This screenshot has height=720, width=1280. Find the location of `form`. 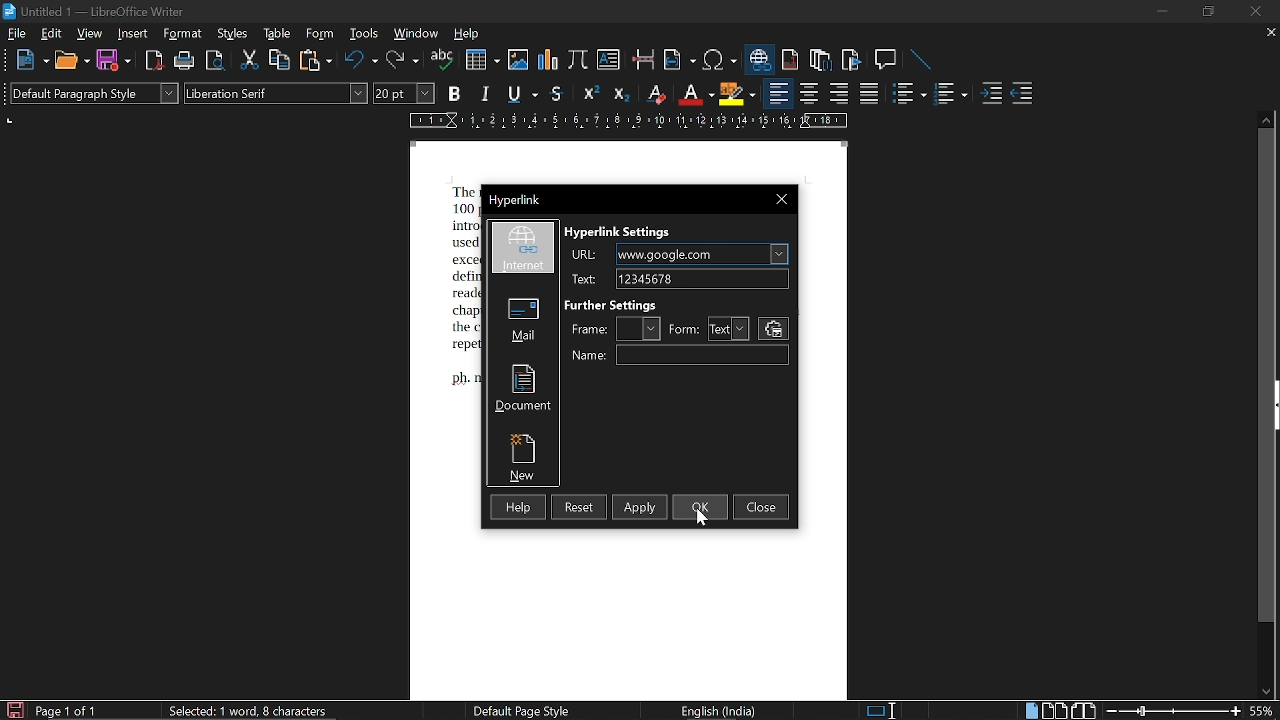

form is located at coordinates (322, 35).